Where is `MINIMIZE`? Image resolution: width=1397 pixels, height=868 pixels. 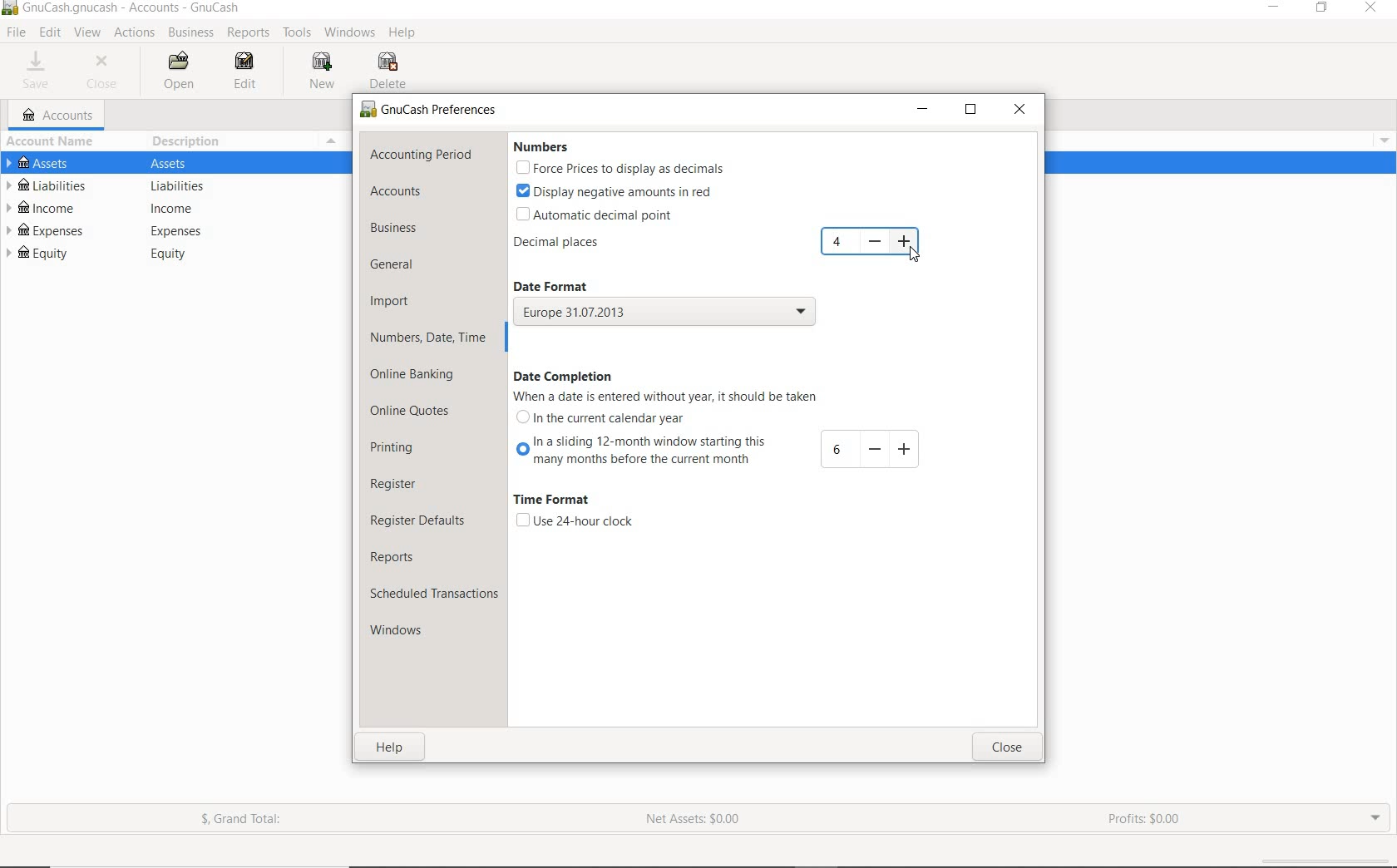 MINIMIZE is located at coordinates (922, 110).